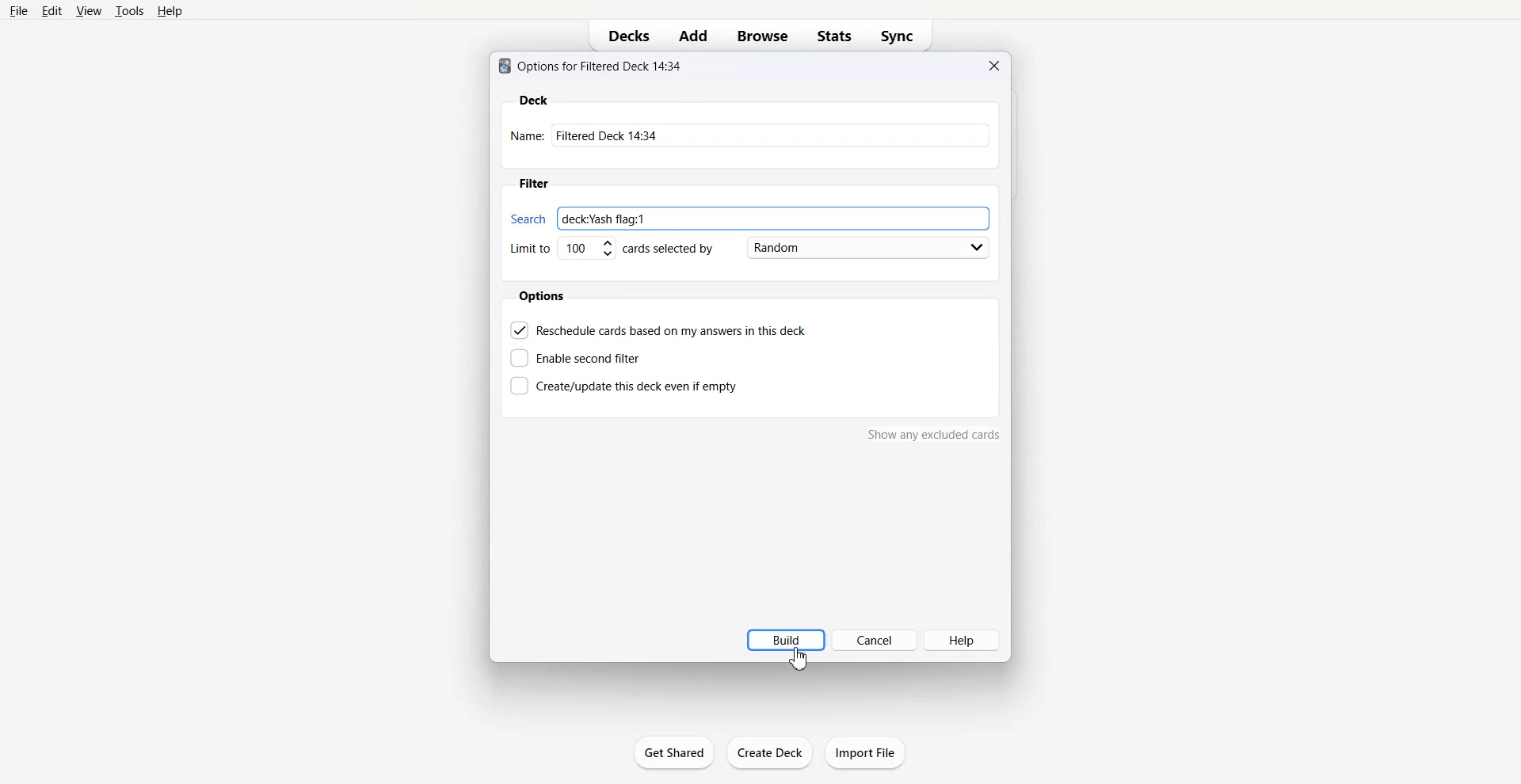 The image size is (1521, 784). Describe the element at coordinates (532, 183) in the screenshot. I see `Filter` at that location.